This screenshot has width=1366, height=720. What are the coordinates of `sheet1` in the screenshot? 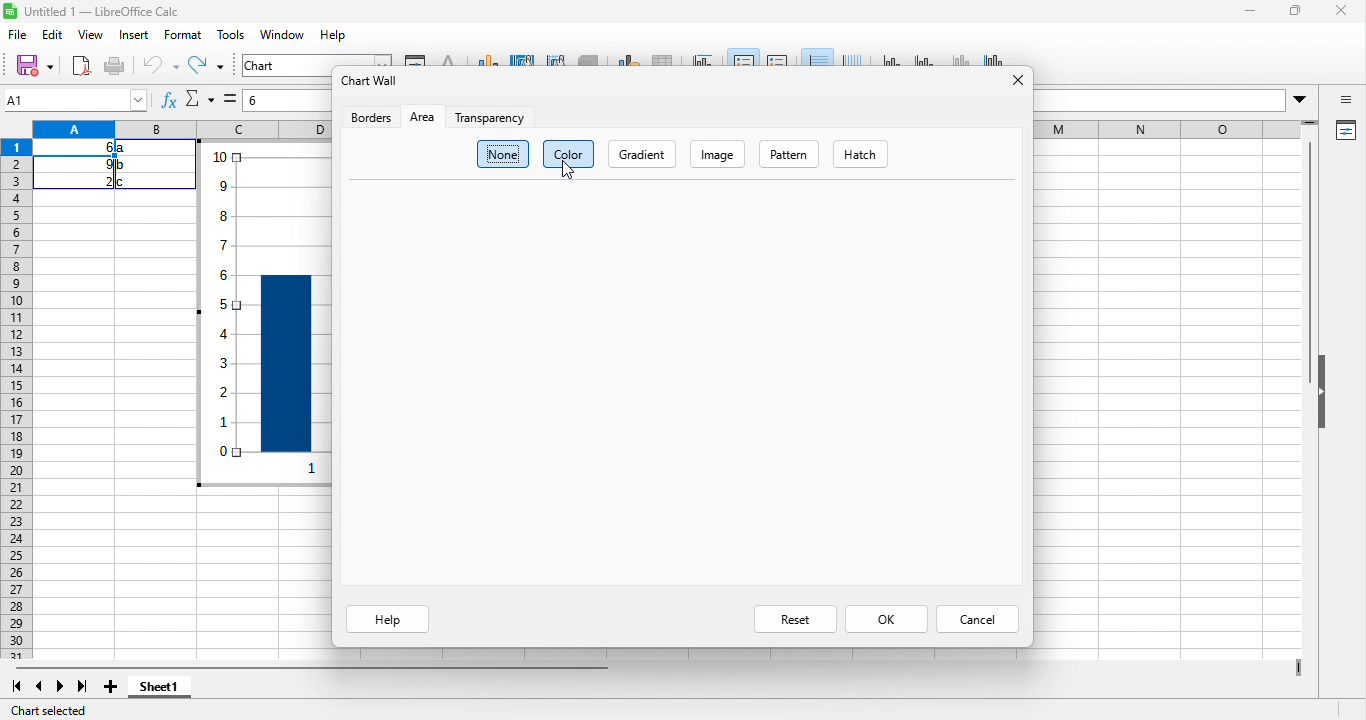 It's located at (180, 692).